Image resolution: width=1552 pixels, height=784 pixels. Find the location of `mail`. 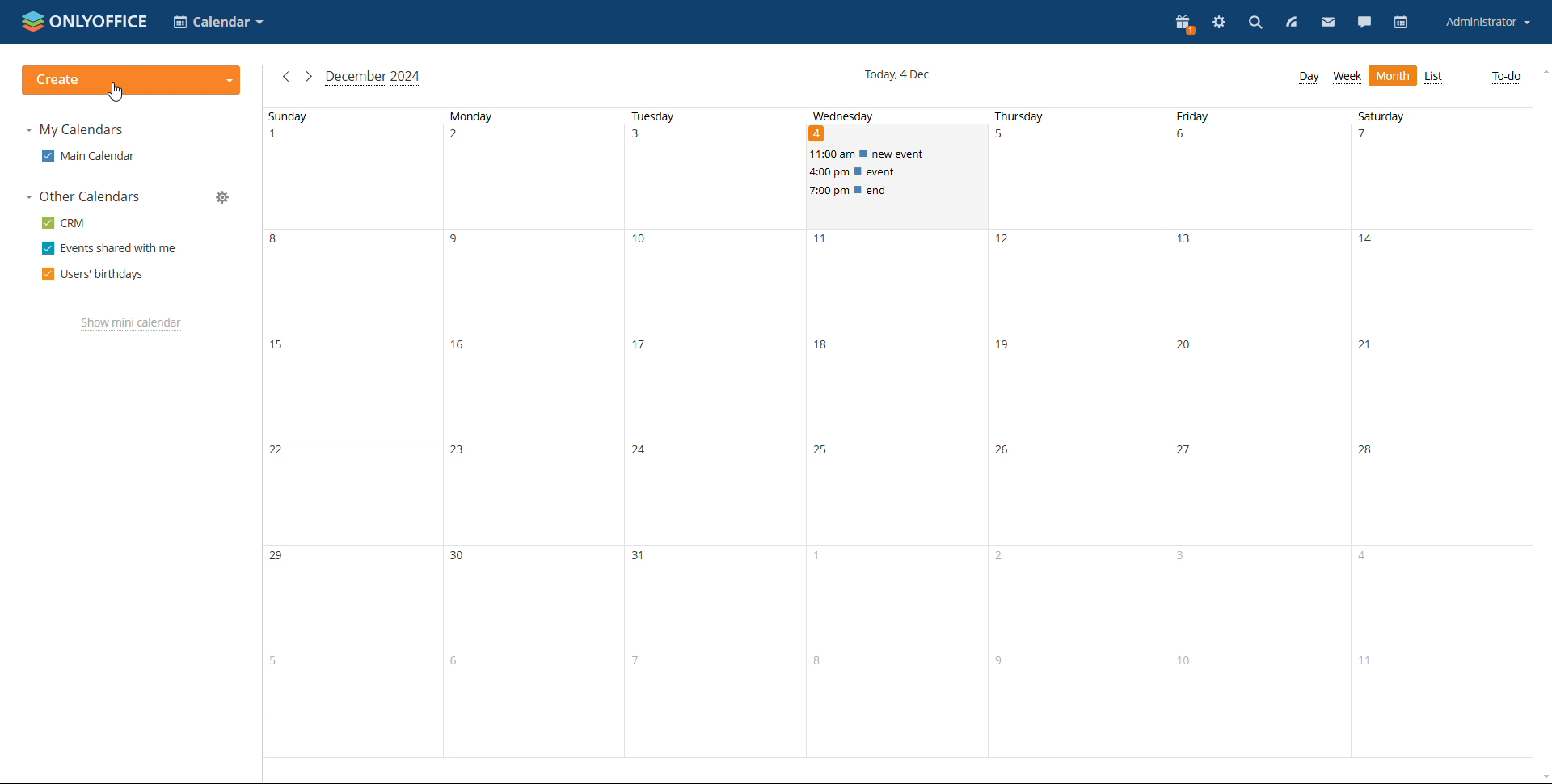

mail is located at coordinates (1327, 21).